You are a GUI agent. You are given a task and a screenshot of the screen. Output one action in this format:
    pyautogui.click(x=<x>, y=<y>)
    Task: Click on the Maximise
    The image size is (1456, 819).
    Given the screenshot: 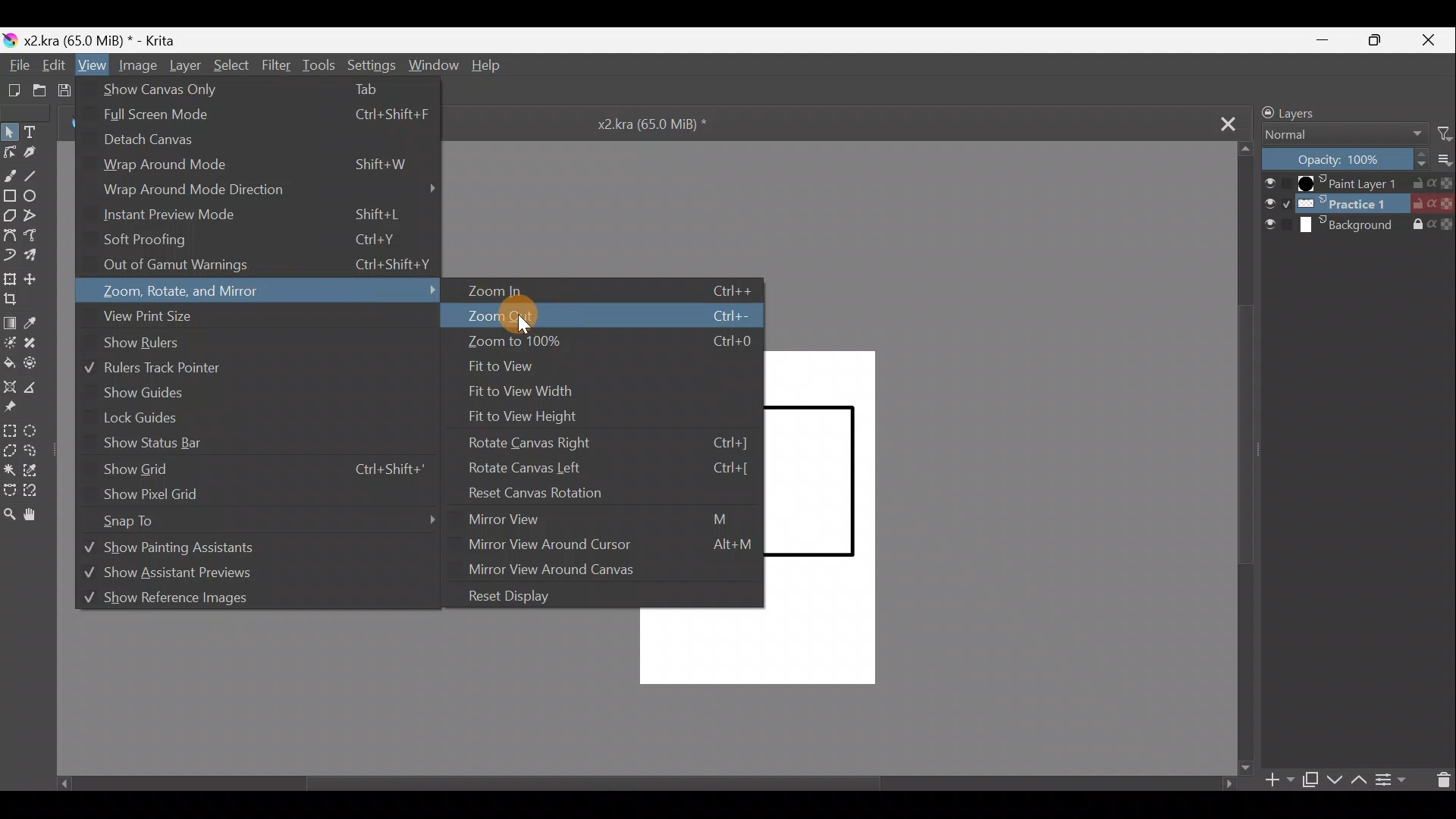 What is the action you would take?
    pyautogui.click(x=1381, y=40)
    